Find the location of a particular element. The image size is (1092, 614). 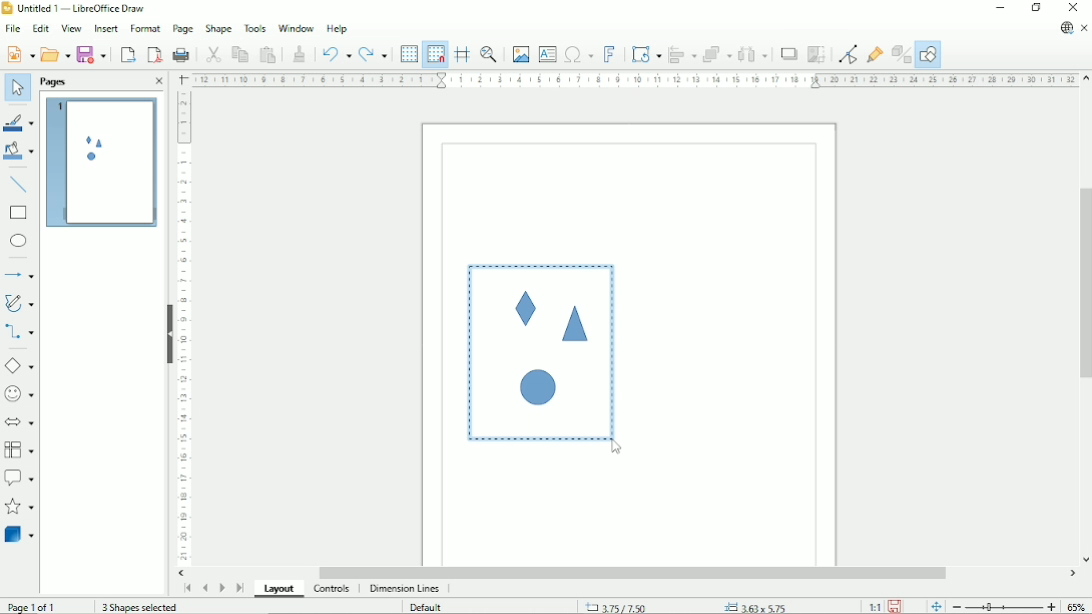

Hide is located at coordinates (169, 334).